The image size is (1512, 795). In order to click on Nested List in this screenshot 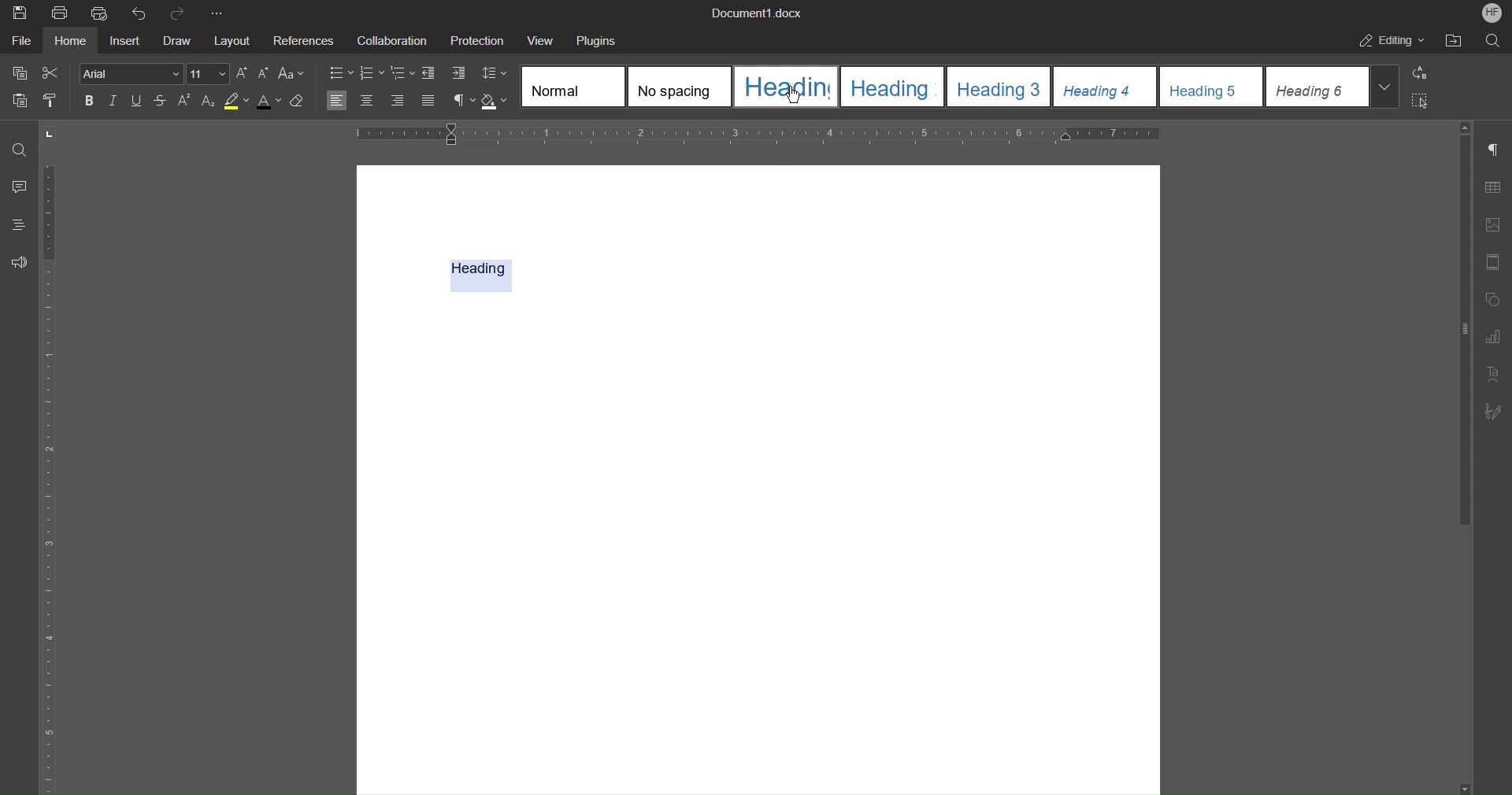, I will do `click(402, 73)`.